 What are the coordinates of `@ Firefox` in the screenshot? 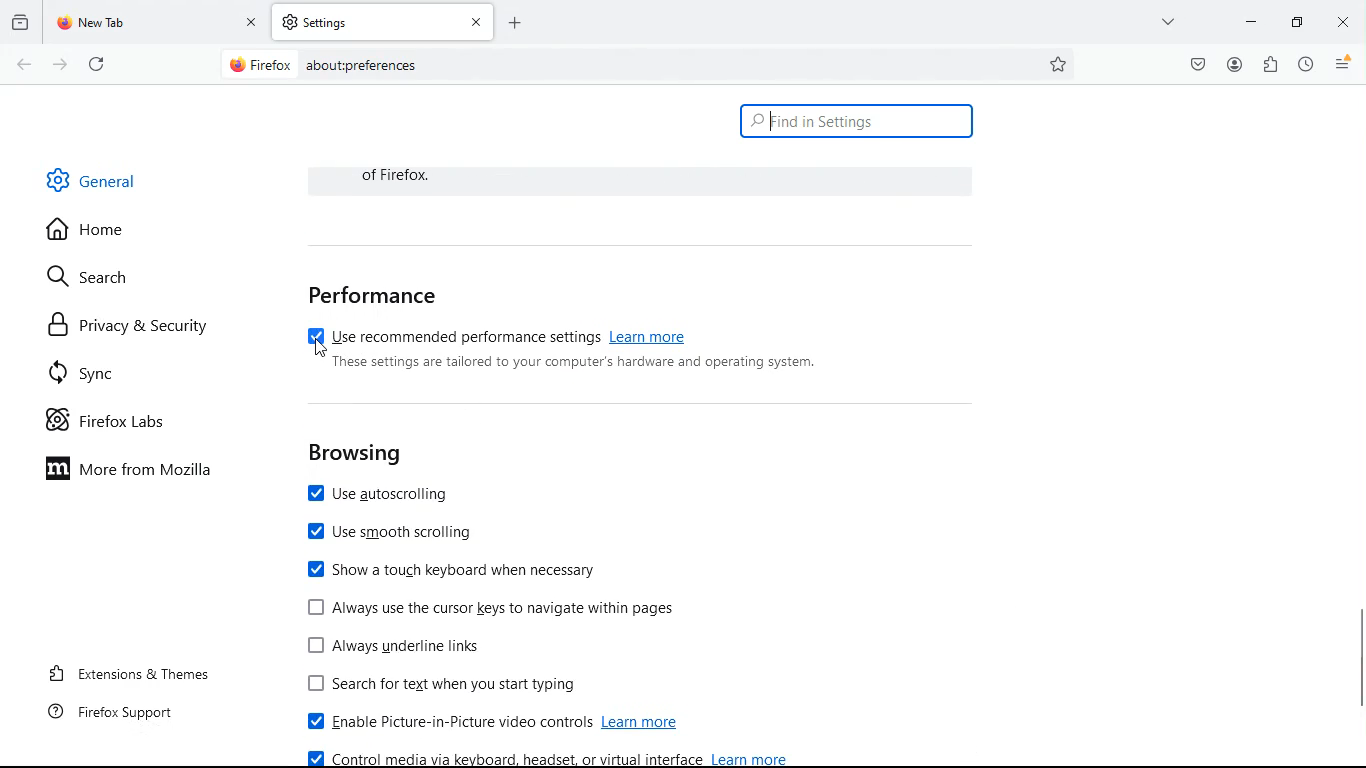 It's located at (259, 64).